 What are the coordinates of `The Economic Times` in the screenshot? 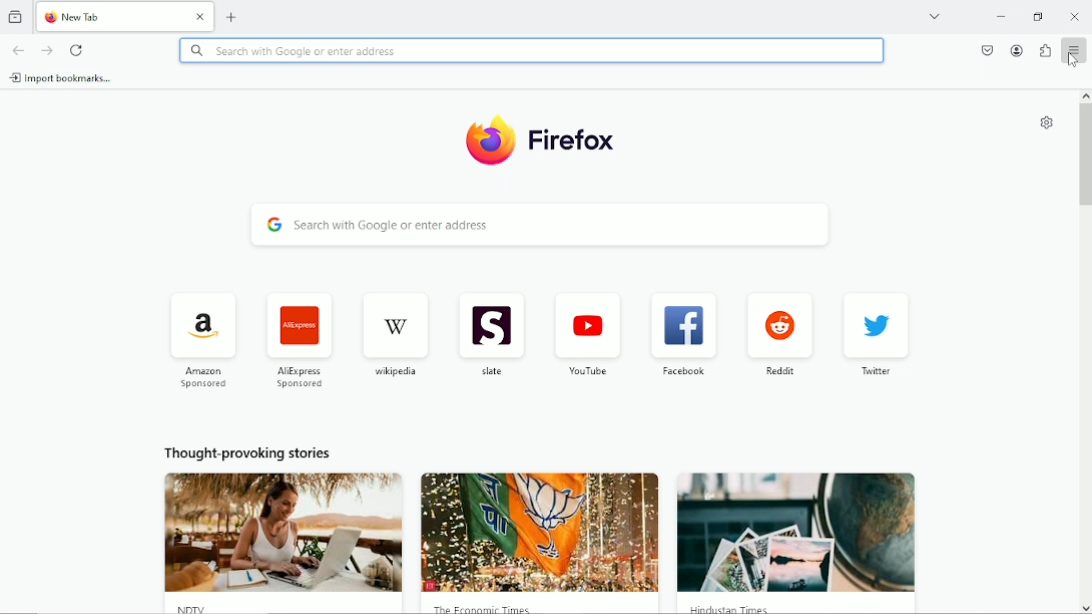 It's located at (541, 605).